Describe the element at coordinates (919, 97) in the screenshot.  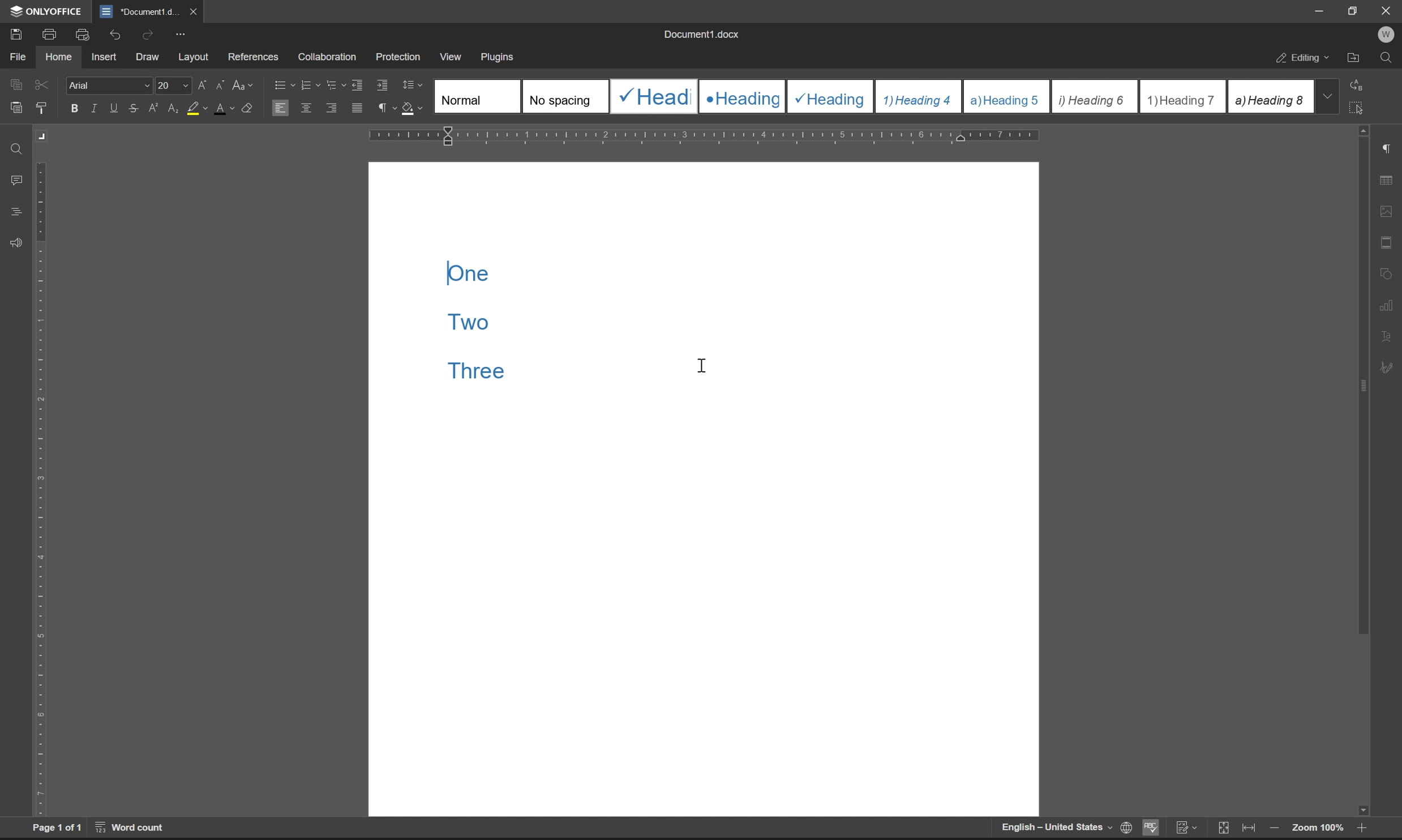
I see `Heading 4` at that location.